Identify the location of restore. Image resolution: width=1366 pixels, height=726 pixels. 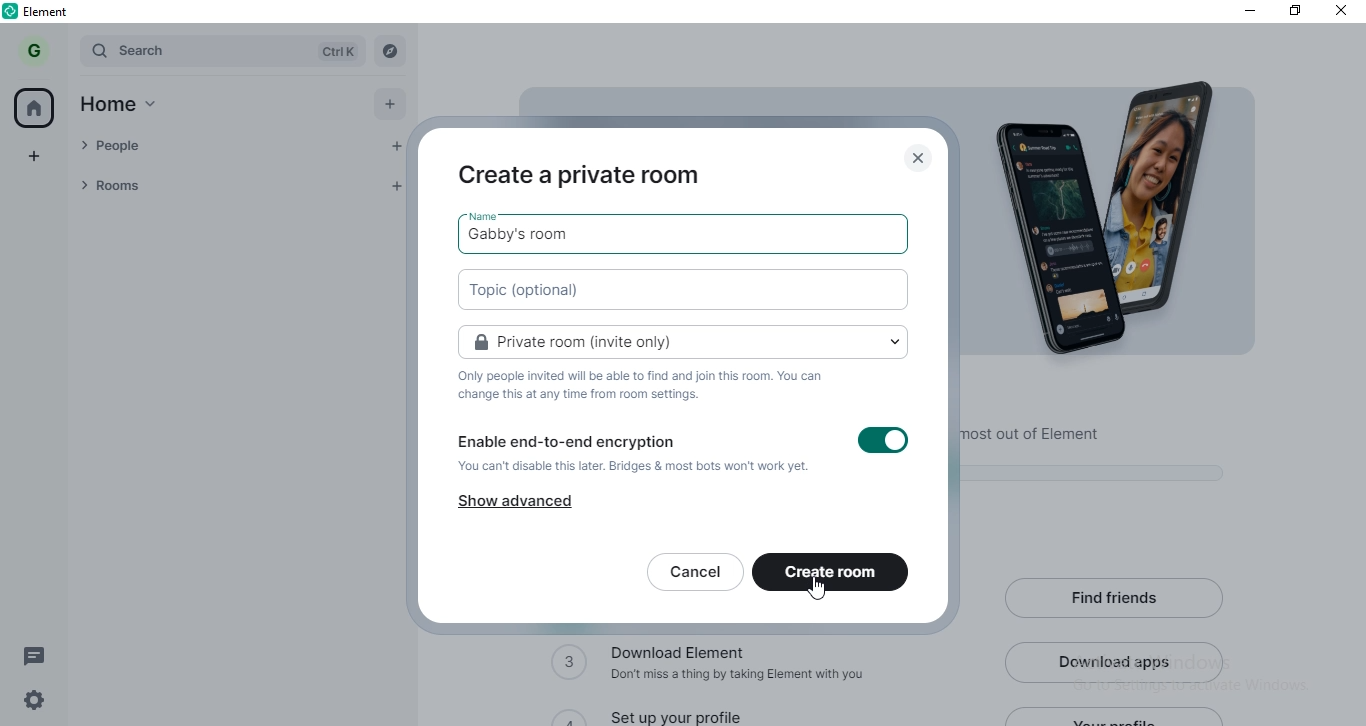
(1295, 13).